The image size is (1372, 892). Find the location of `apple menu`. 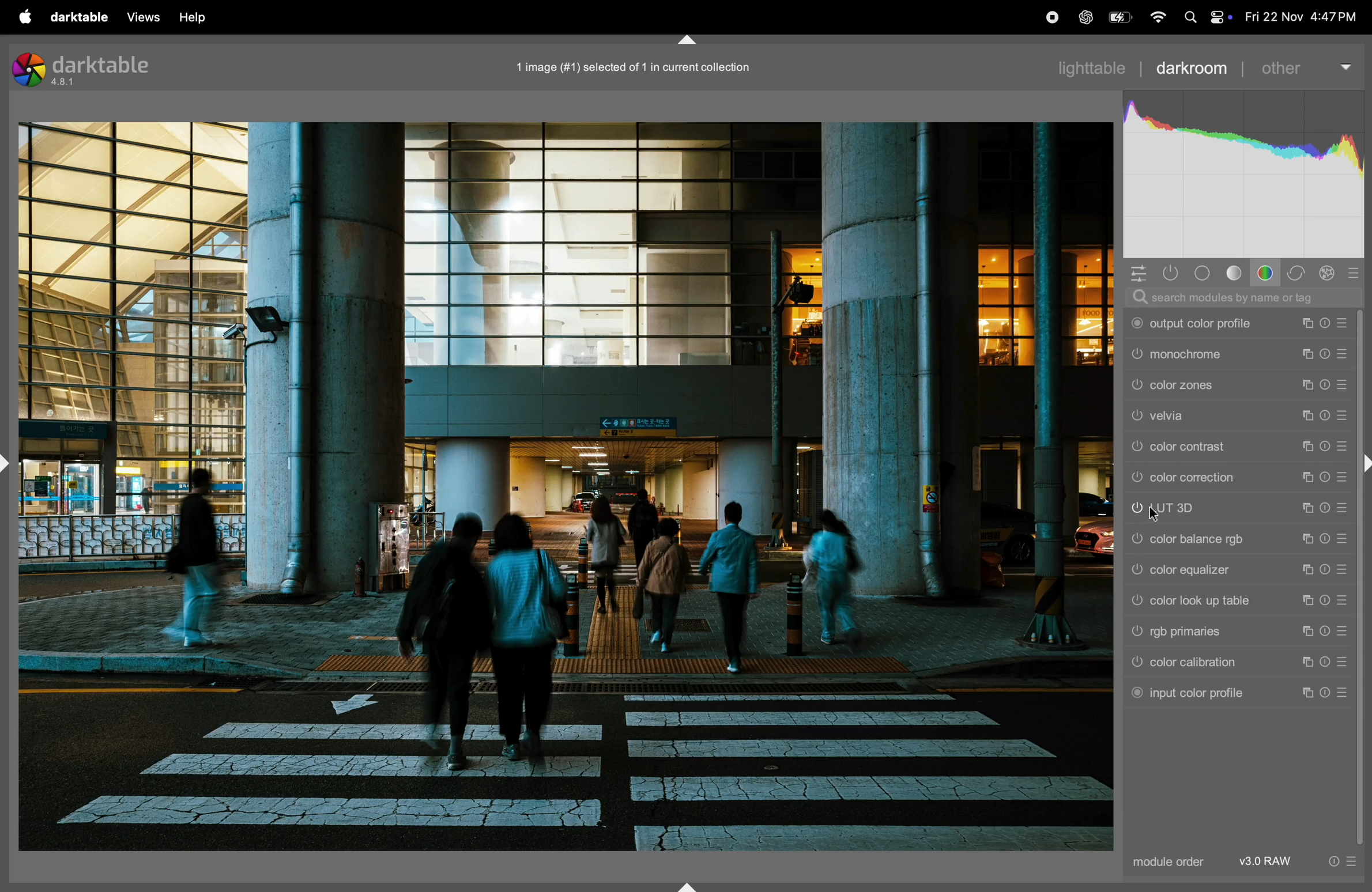

apple menu is located at coordinates (25, 16).